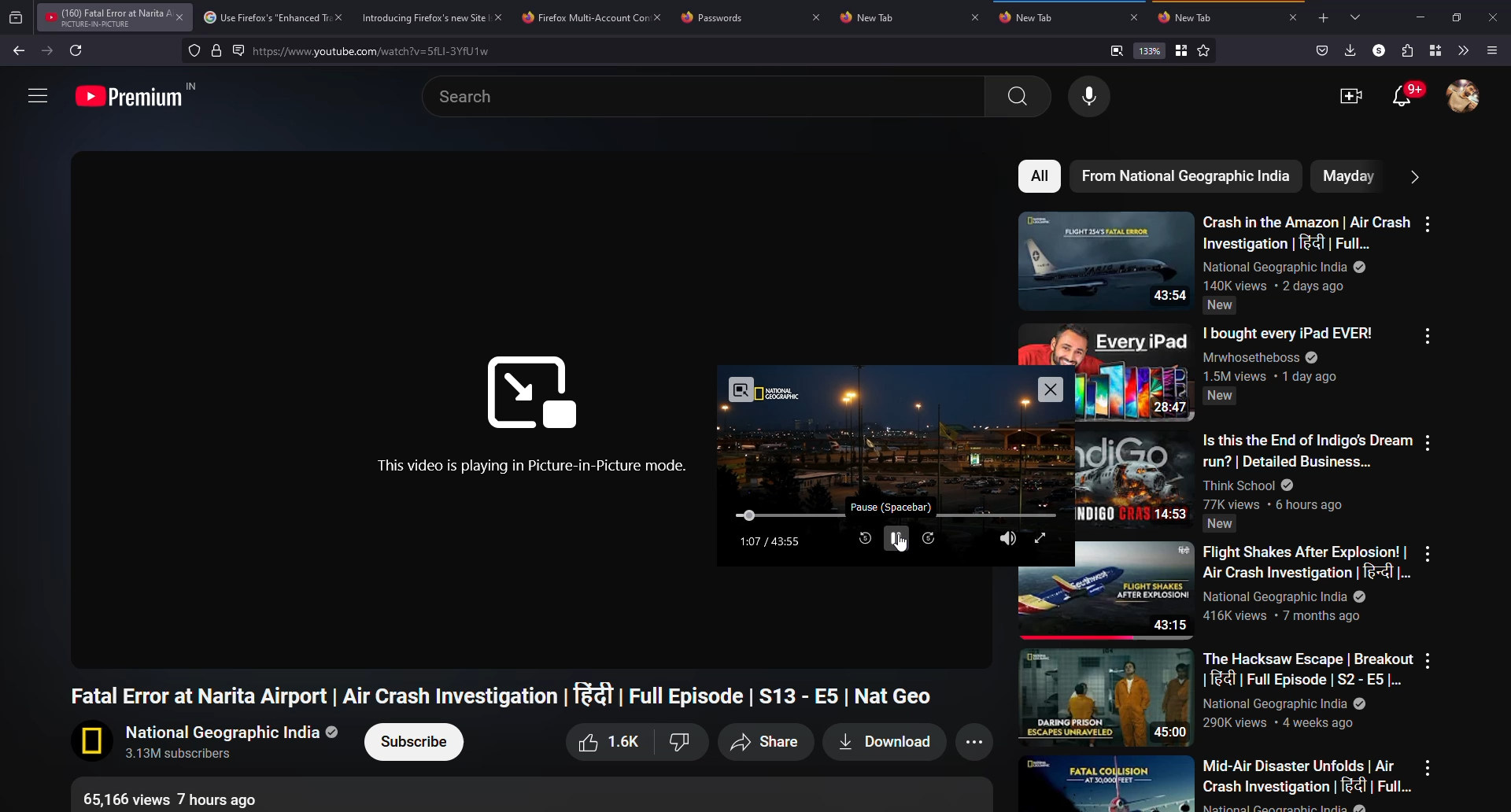 Image resolution: width=1511 pixels, height=812 pixels. Describe the element at coordinates (1135, 591) in the screenshot. I see `Video thumbnail` at that location.